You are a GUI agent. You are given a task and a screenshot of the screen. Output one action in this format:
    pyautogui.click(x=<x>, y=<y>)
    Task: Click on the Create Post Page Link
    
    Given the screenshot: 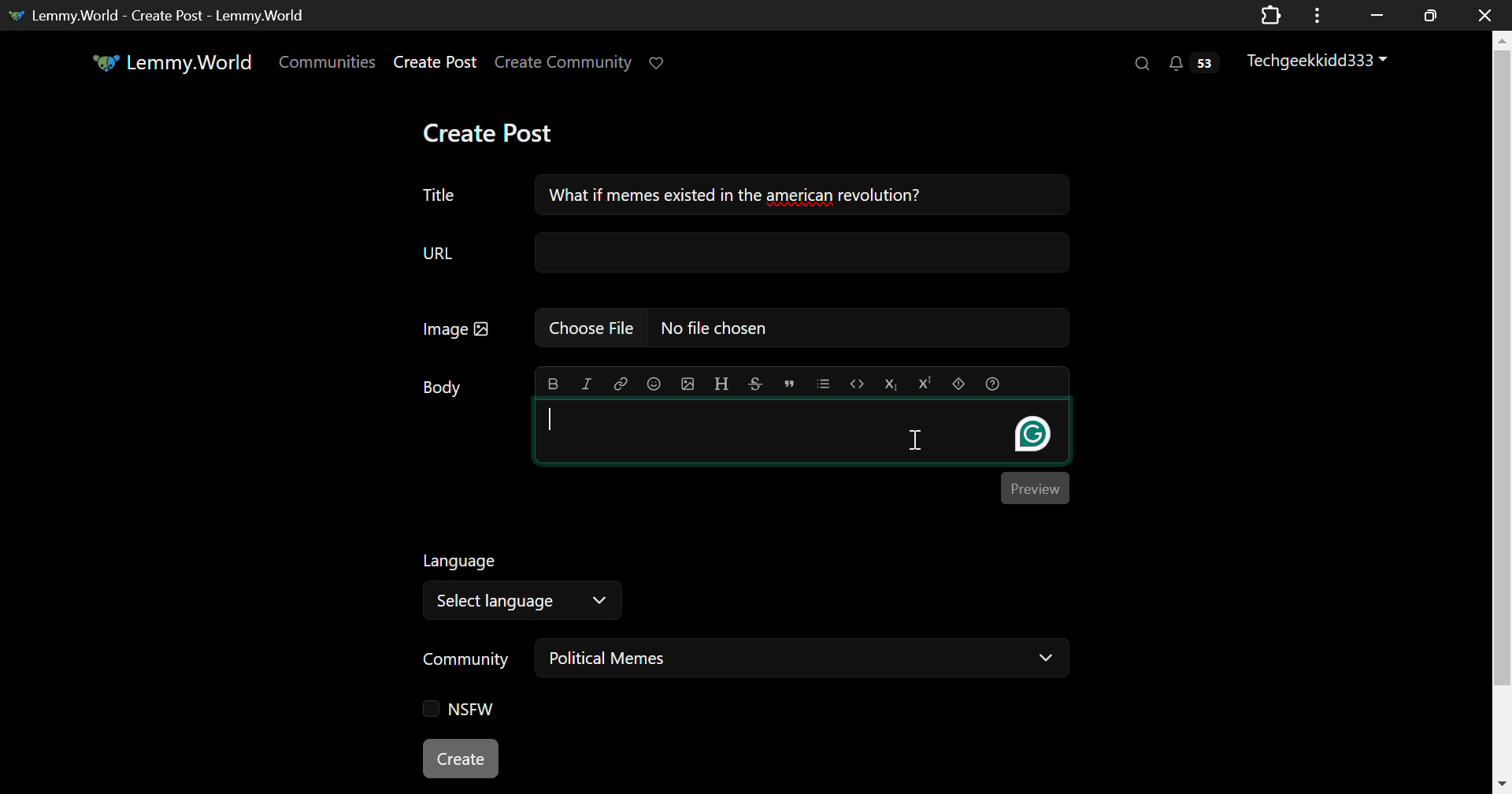 What is the action you would take?
    pyautogui.click(x=435, y=63)
    